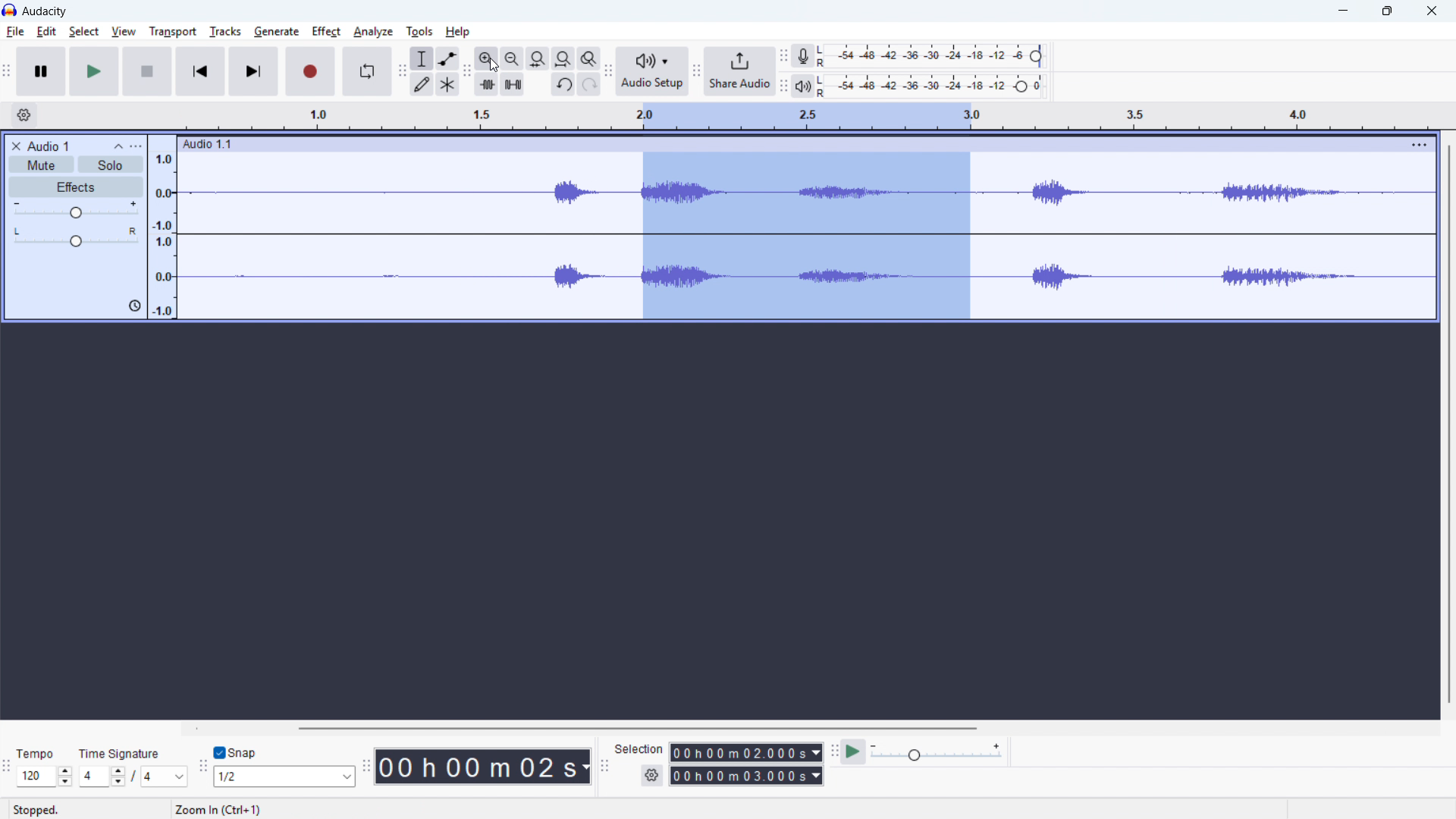 The image size is (1456, 819). What do you see at coordinates (607, 768) in the screenshot?
I see `Selection toolbar` at bounding box center [607, 768].